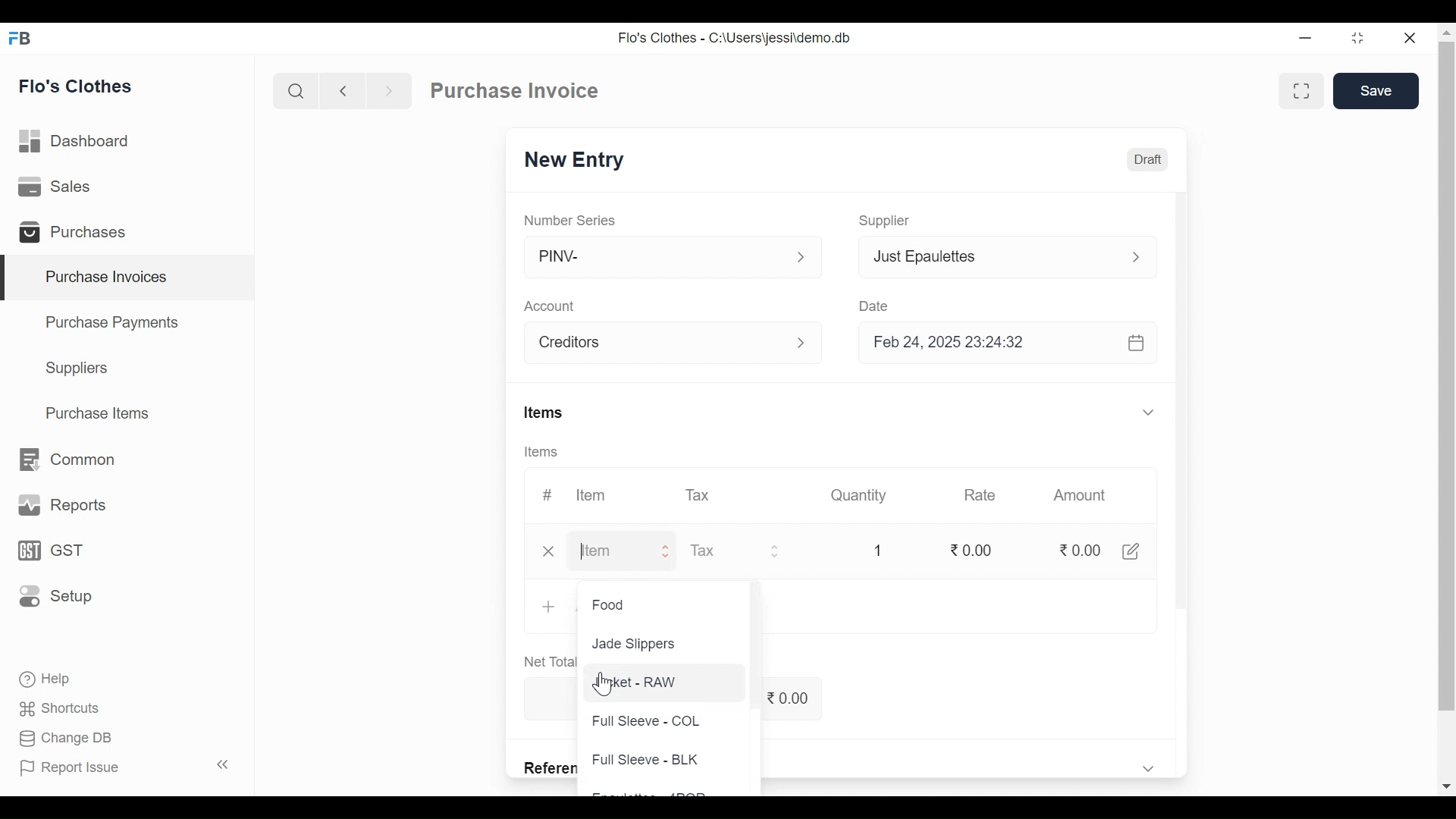  Describe the element at coordinates (548, 306) in the screenshot. I see `Account` at that location.